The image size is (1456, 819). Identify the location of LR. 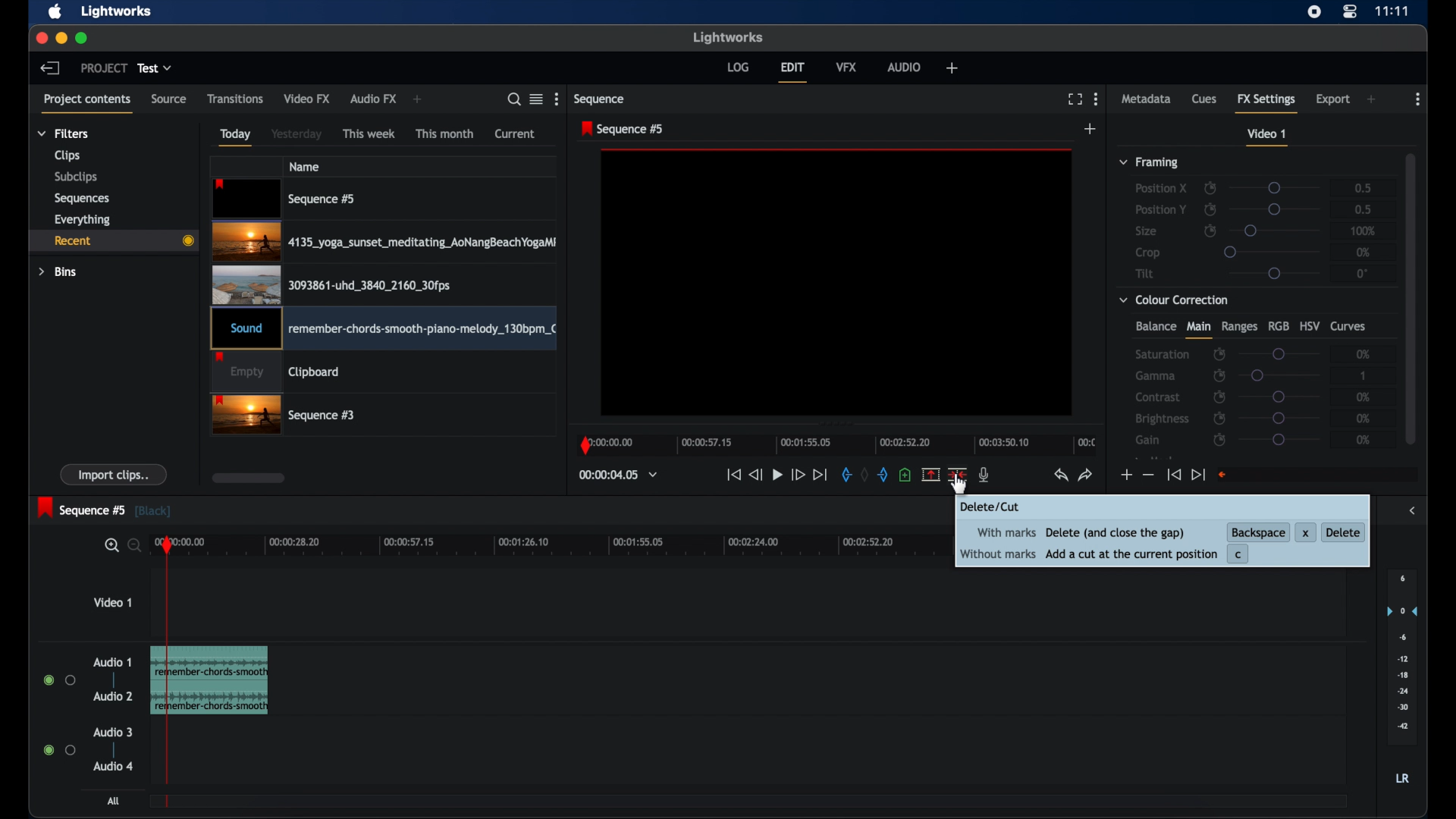
(1402, 778).